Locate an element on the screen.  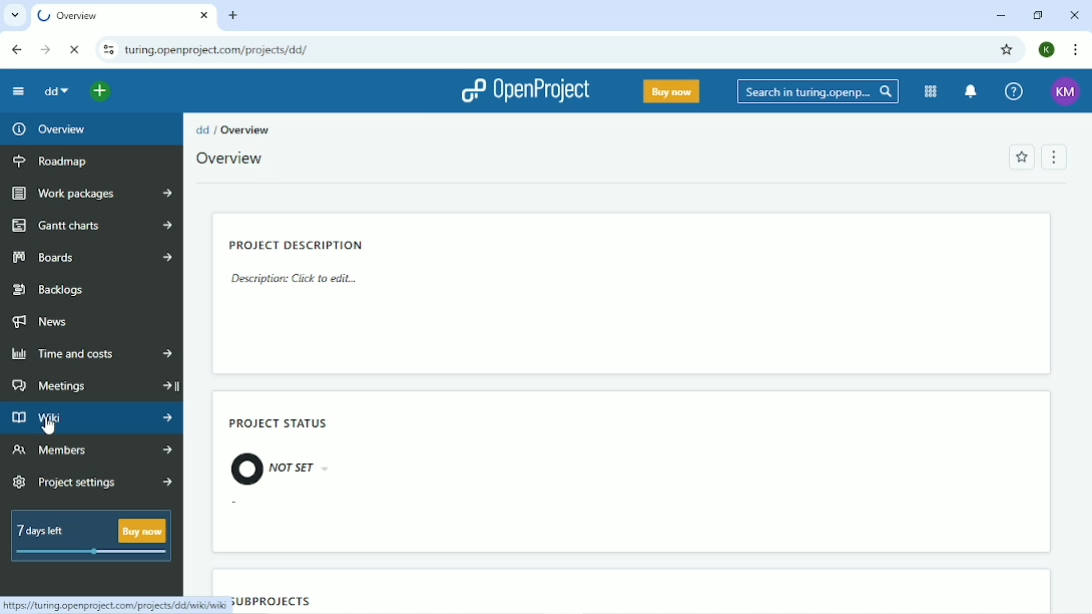
To notification center is located at coordinates (972, 91).